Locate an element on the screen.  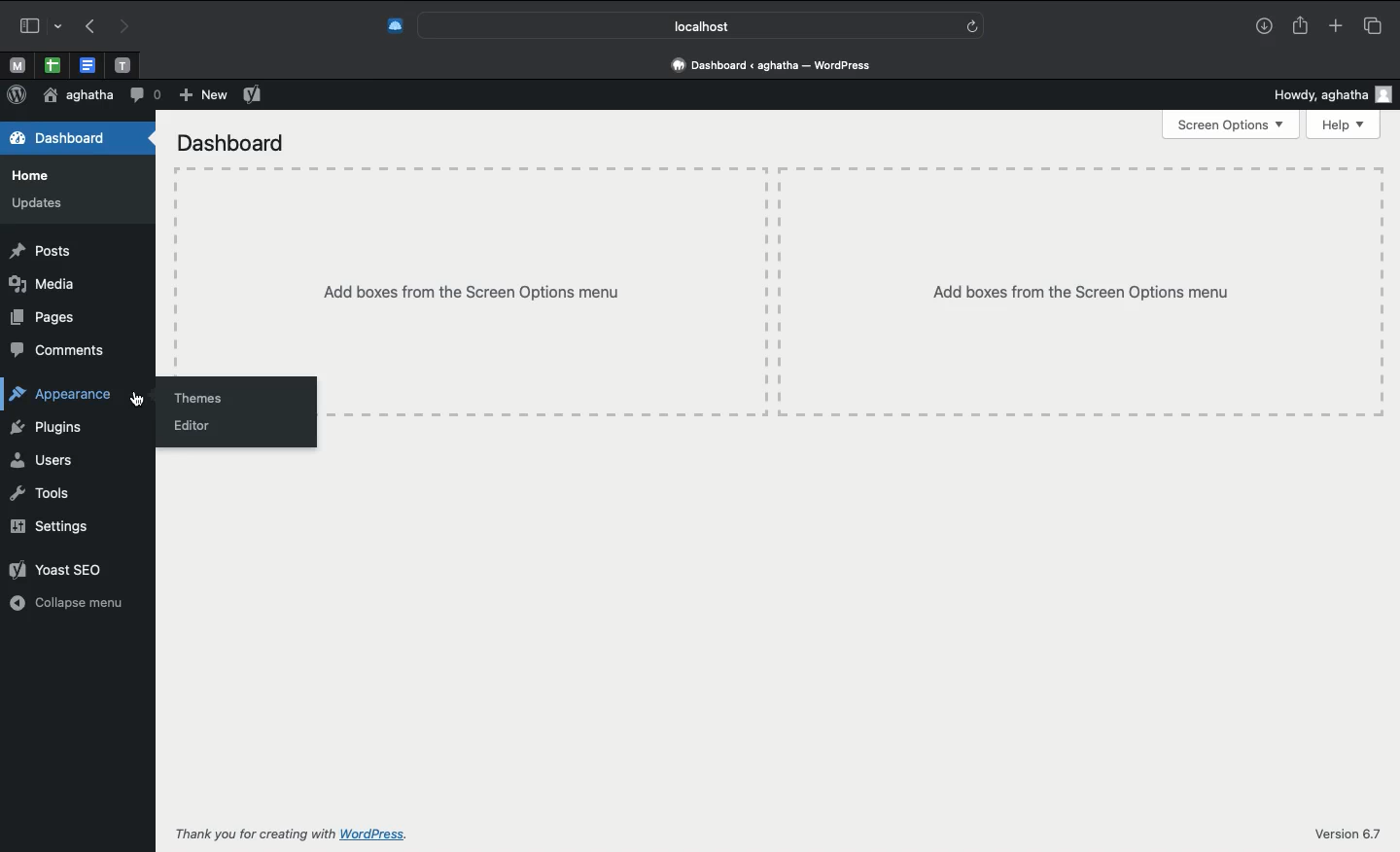
Logo is located at coordinates (14, 95).